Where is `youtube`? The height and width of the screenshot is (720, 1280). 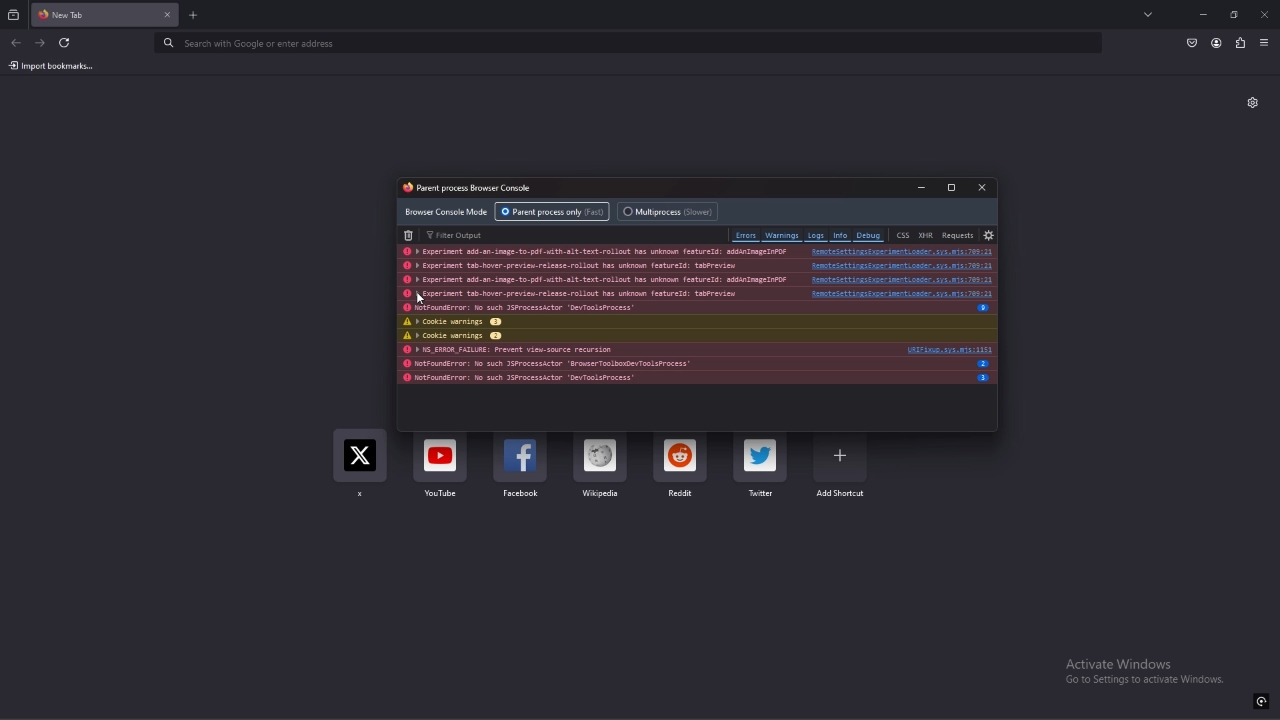 youtube is located at coordinates (441, 470).